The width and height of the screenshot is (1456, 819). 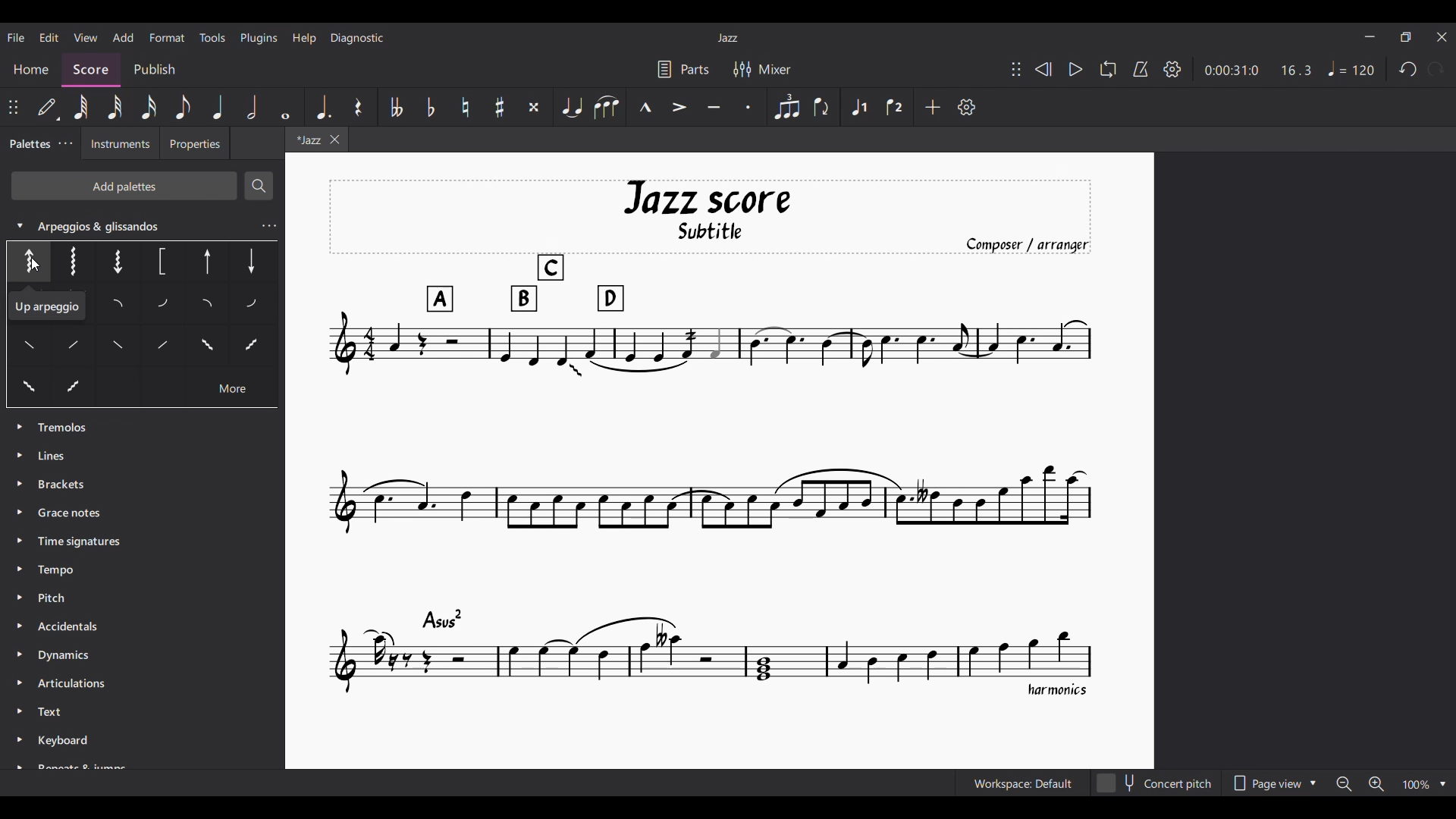 I want to click on 32nd note, so click(x=115, y=108).